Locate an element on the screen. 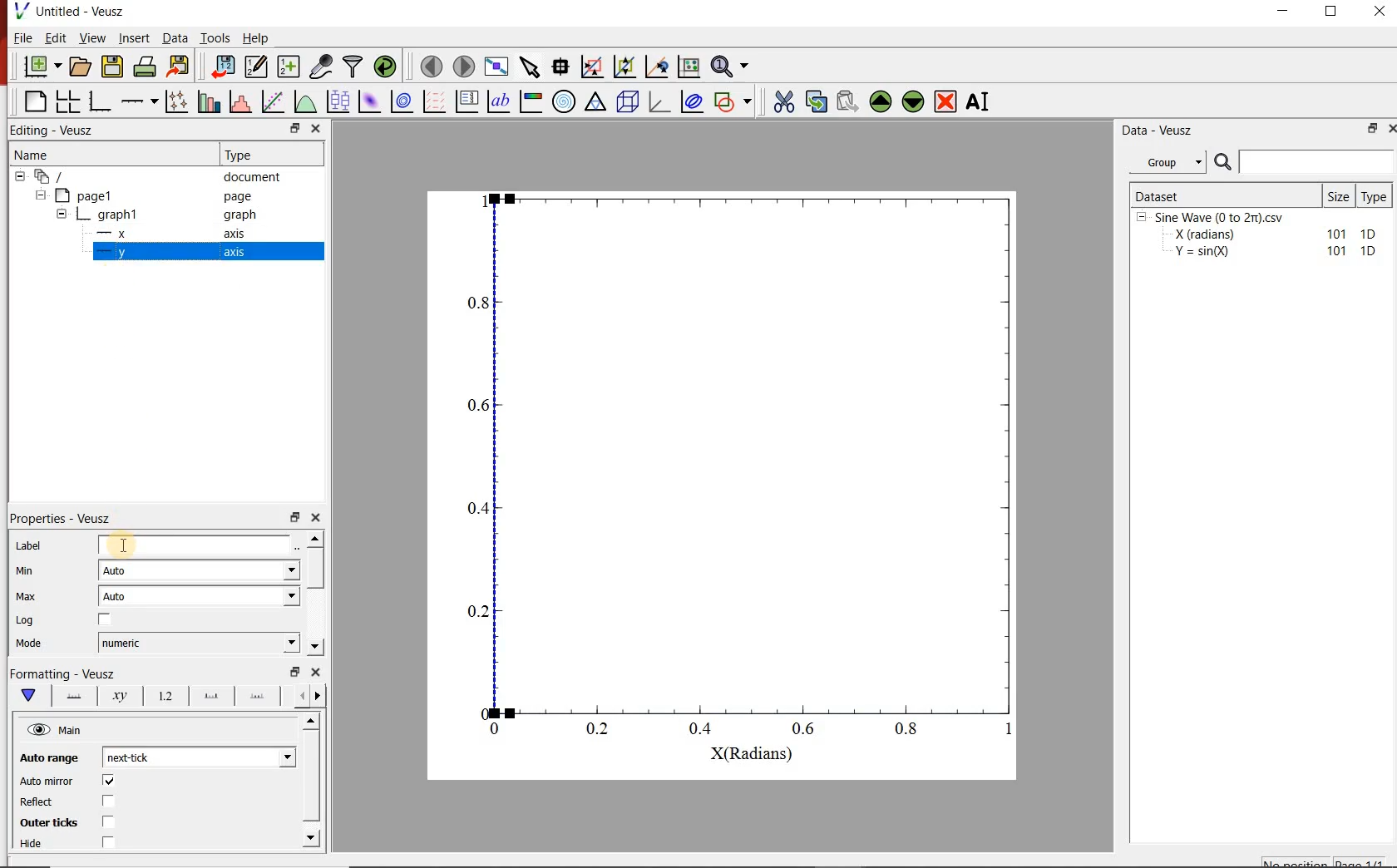  File is located at coordinates (23, 37).